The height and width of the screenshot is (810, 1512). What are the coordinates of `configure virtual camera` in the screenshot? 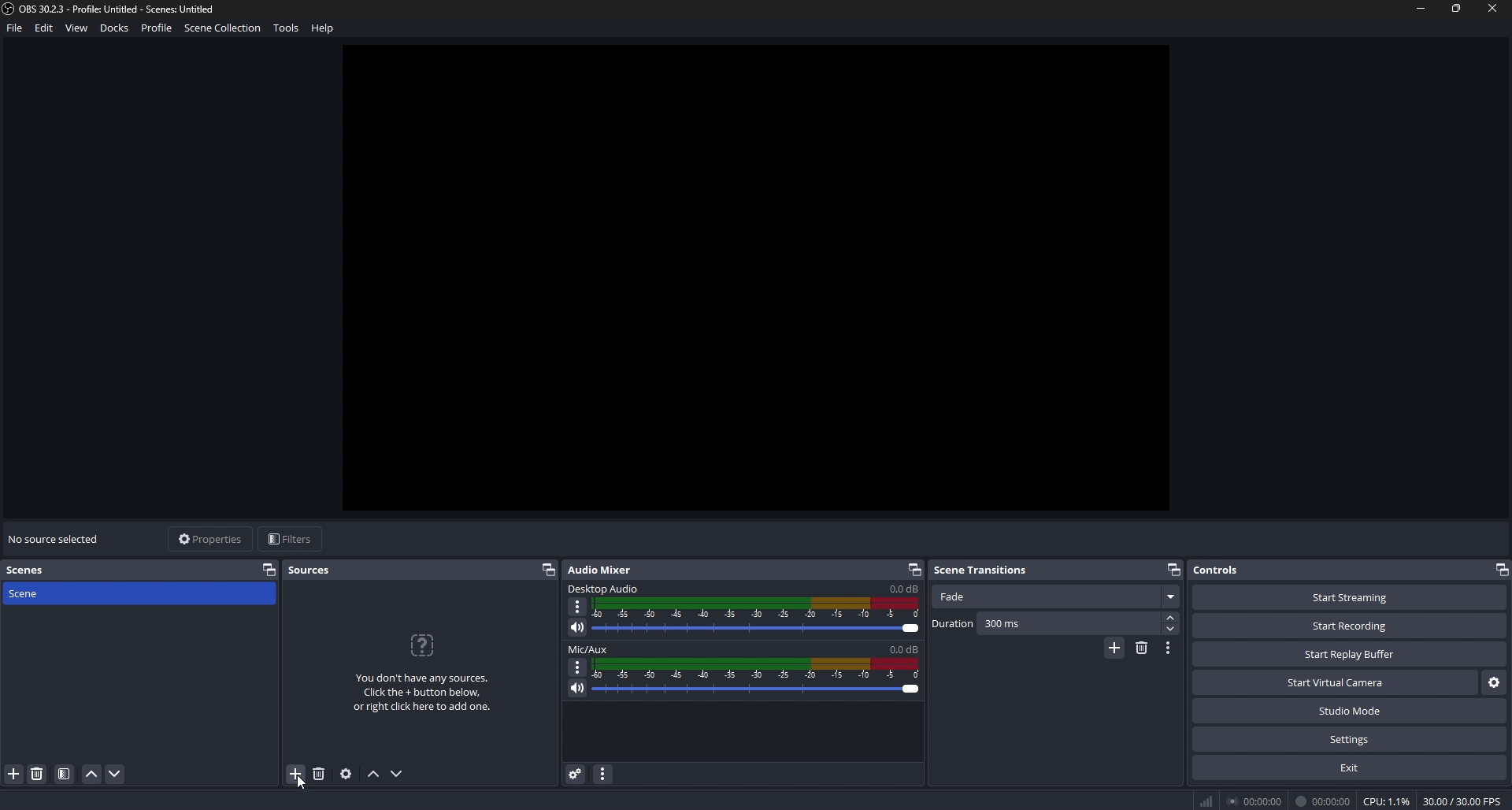 It's located at (1493, 683).